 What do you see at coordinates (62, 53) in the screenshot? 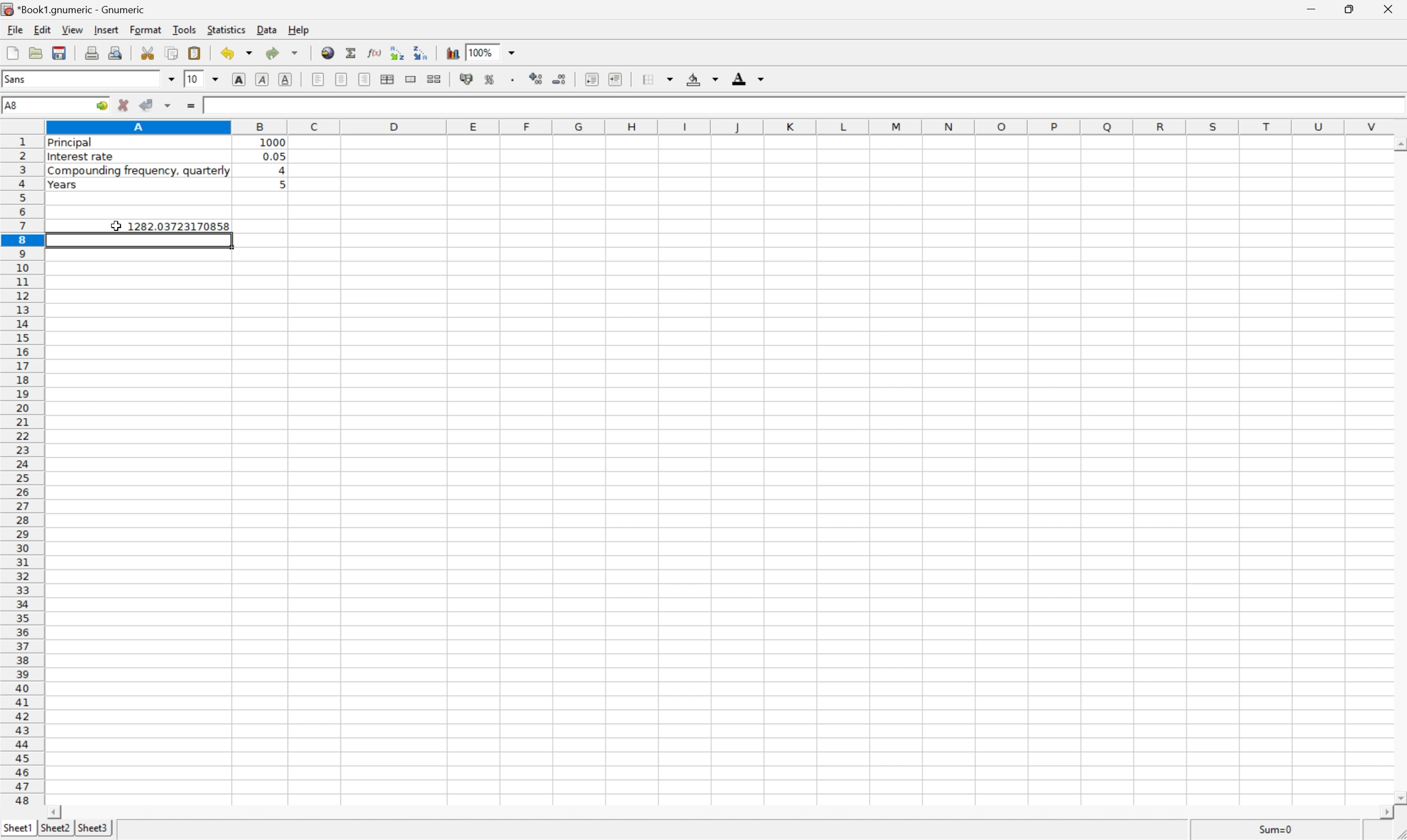
I see `save current workbook` at bounding box center [62, 53].